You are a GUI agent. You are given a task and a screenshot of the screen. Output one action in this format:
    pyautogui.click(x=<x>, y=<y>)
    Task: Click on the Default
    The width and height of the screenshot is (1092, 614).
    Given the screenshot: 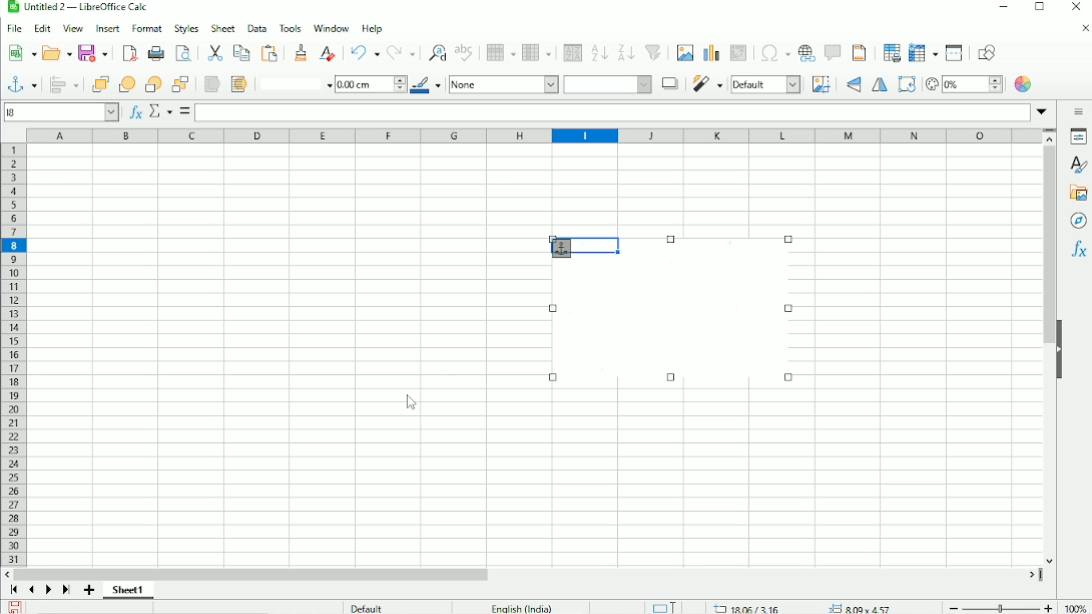 What is the action you would take?
    pyautogui.click(x=369, y=607)
    